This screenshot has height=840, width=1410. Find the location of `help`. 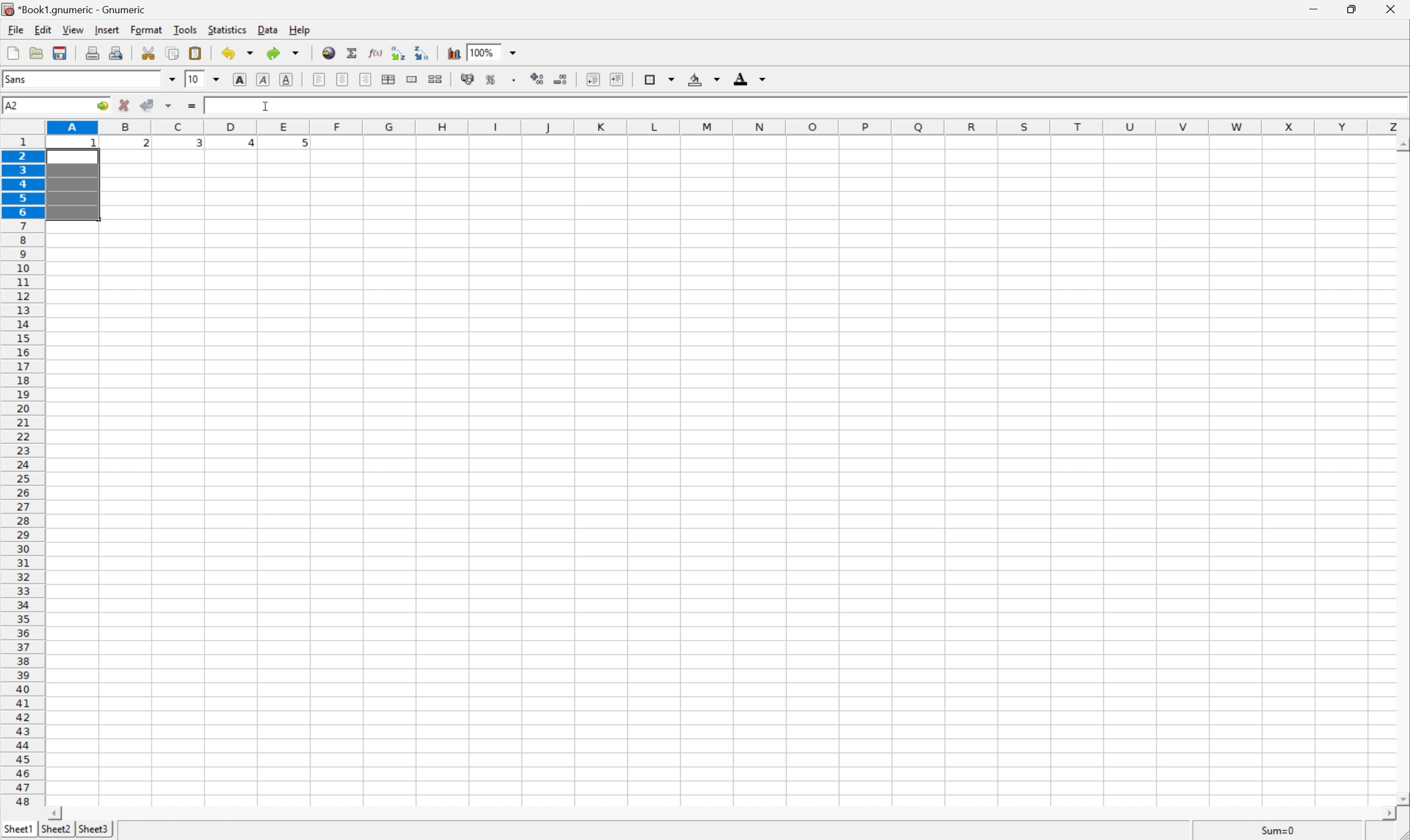

help is located at coordinates (297, 29).